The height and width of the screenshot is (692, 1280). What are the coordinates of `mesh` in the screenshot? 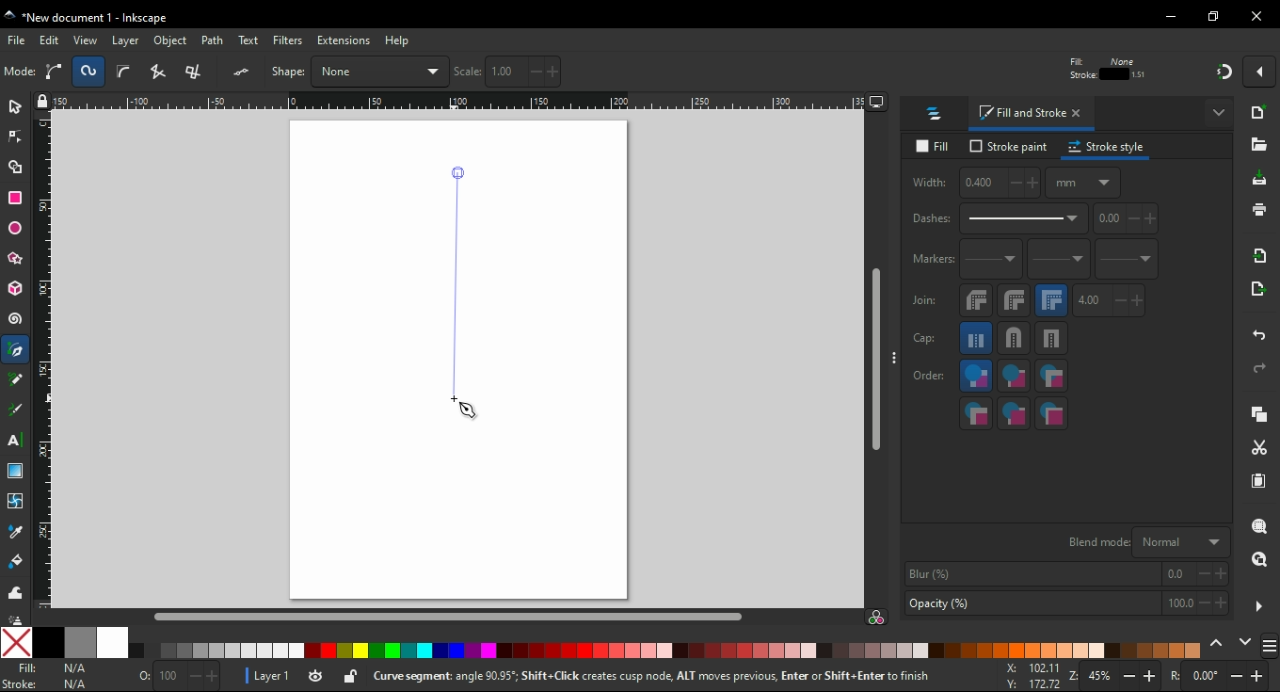 It's located at (15, 500).